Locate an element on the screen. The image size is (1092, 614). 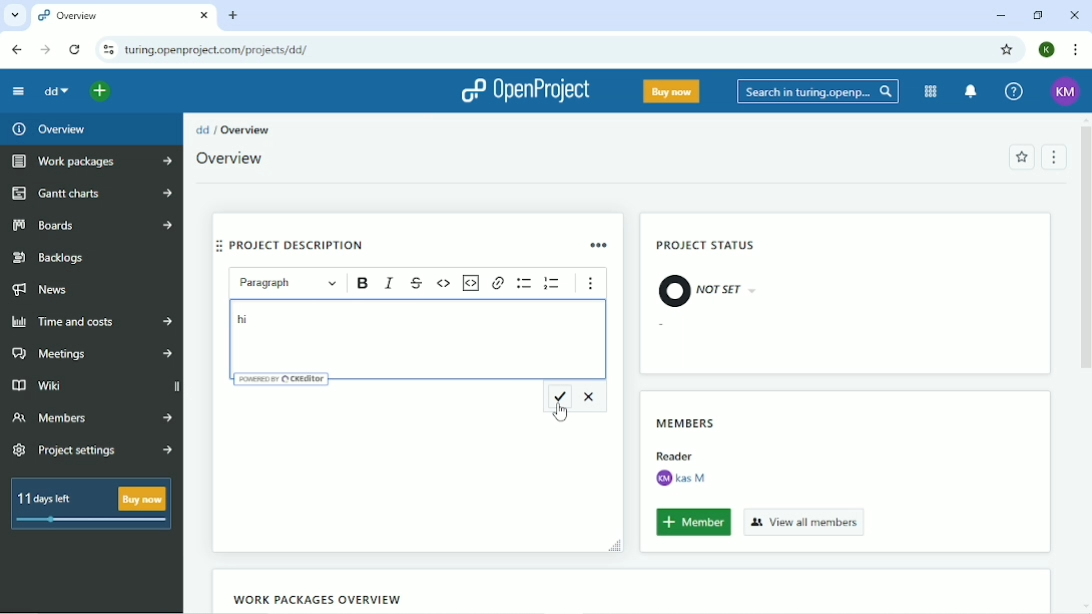
Paragraph is located at coordinates (289, 283).